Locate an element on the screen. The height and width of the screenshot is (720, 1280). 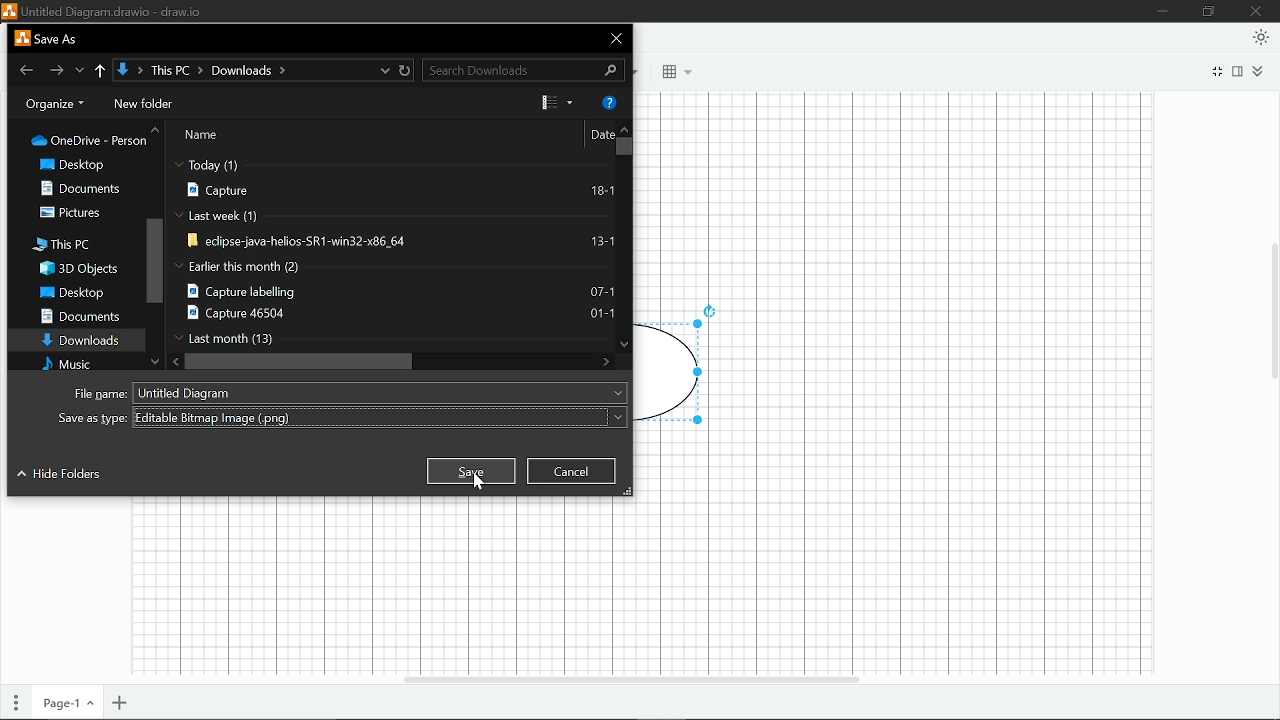
restore down is located at coordinates (1210, 12).